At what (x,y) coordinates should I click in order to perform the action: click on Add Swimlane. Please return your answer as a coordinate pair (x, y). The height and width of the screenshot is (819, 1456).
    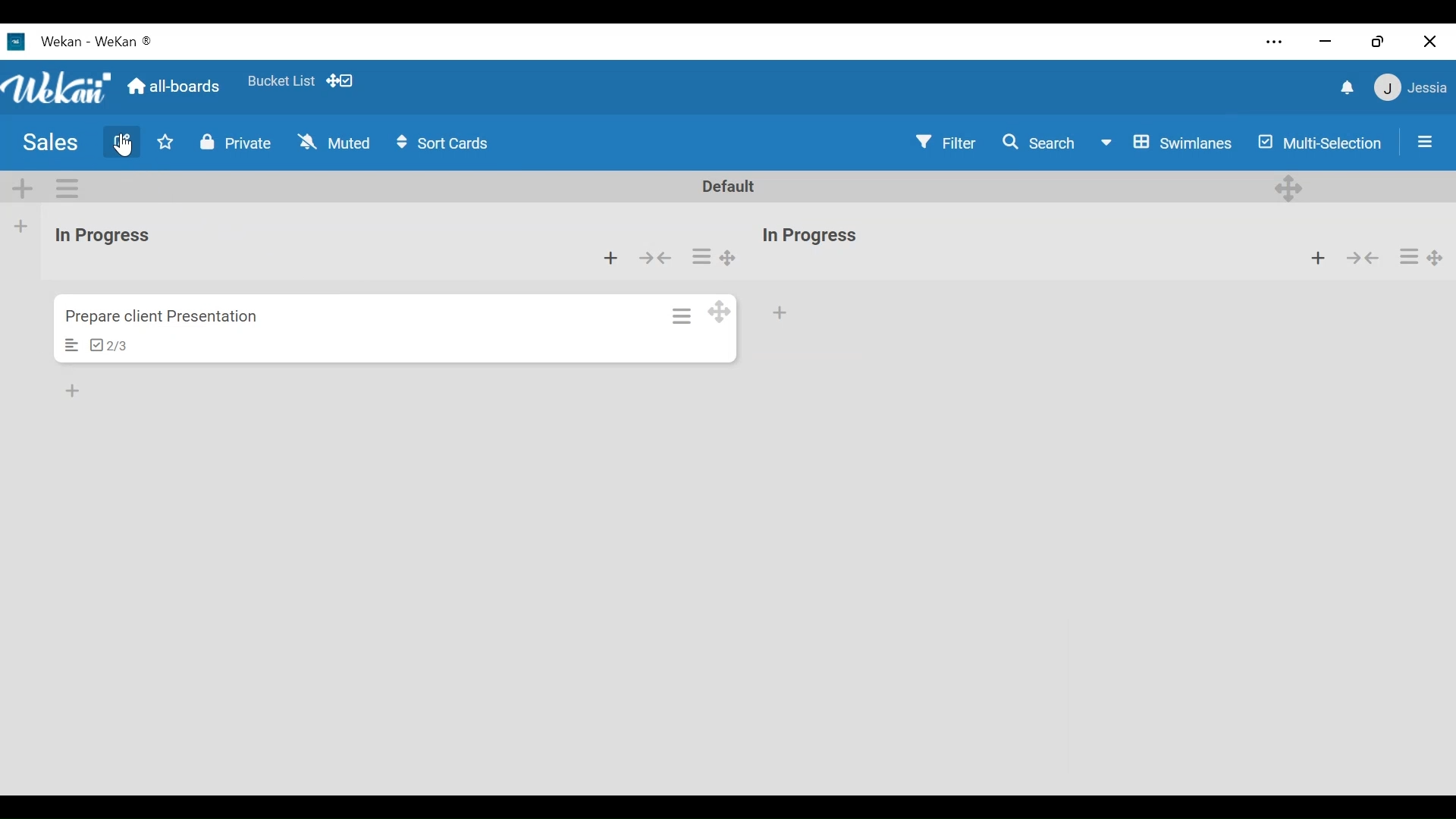
    Looking at the image, I should click on (20, 187).